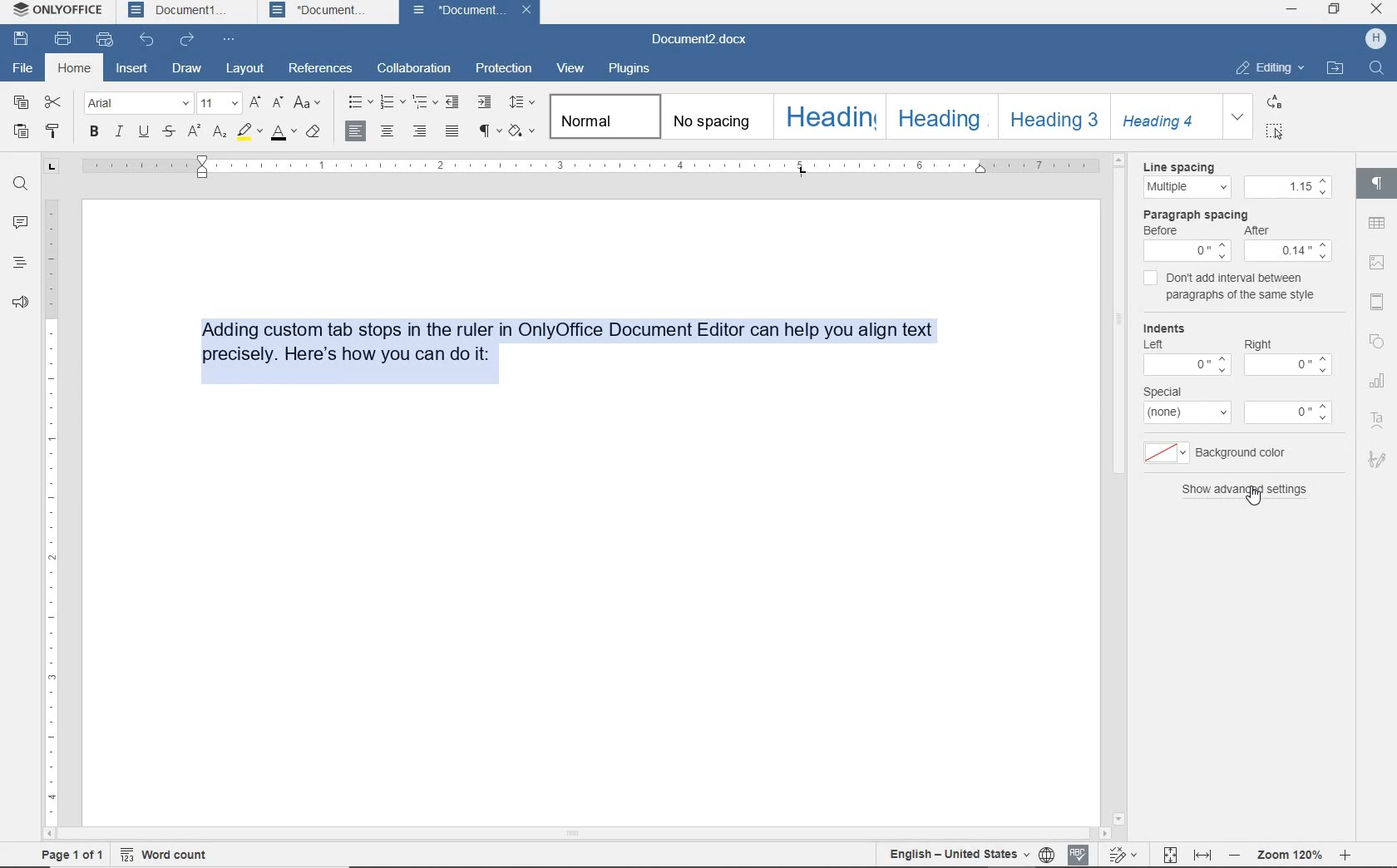 This screenshot has height=868, width=1397. What do you see at coordinates (420, 131) in the screenshot?
I see `align right` at bounding box center [420, 131].